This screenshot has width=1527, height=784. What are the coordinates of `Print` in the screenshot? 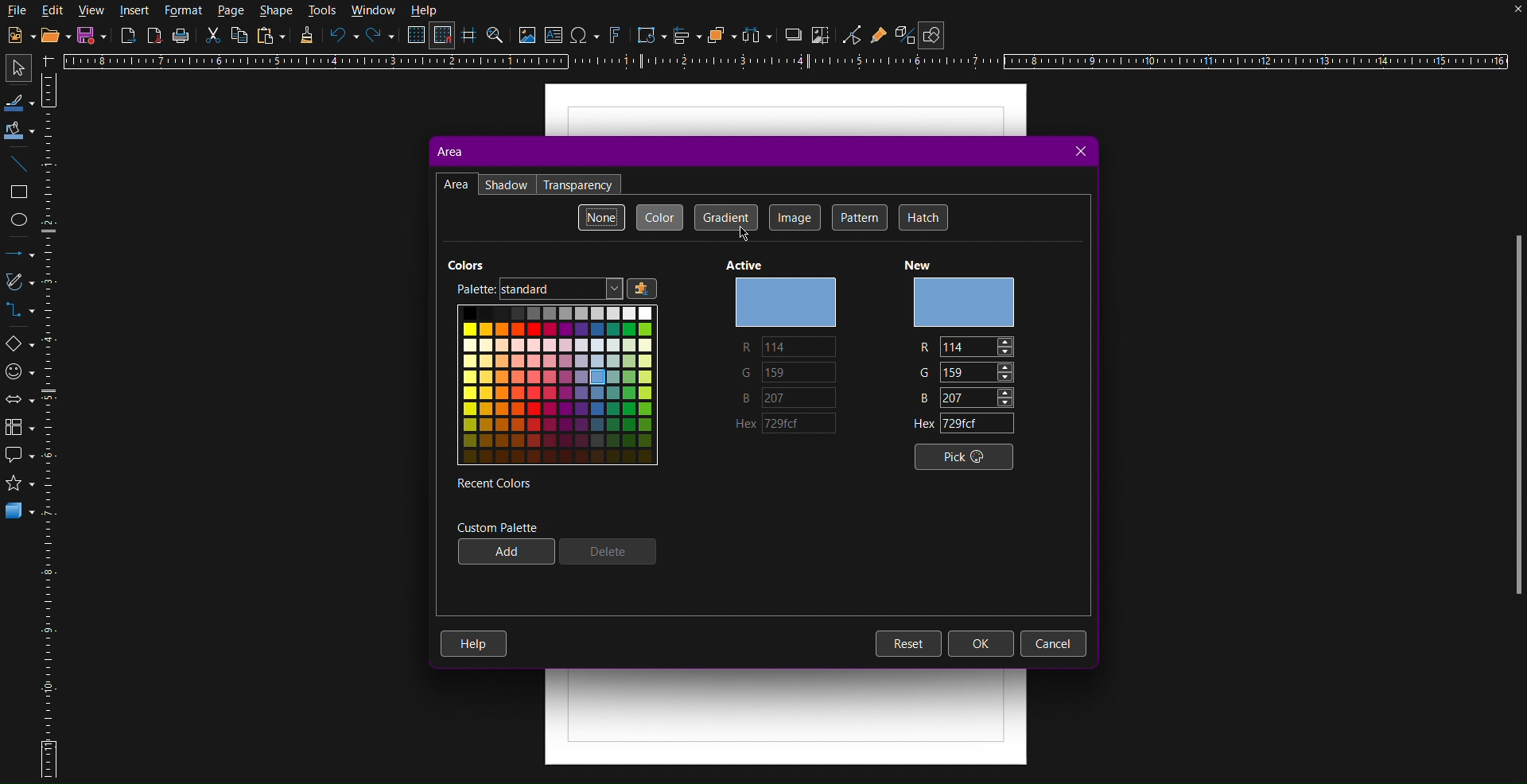 It's located at (181, 38).